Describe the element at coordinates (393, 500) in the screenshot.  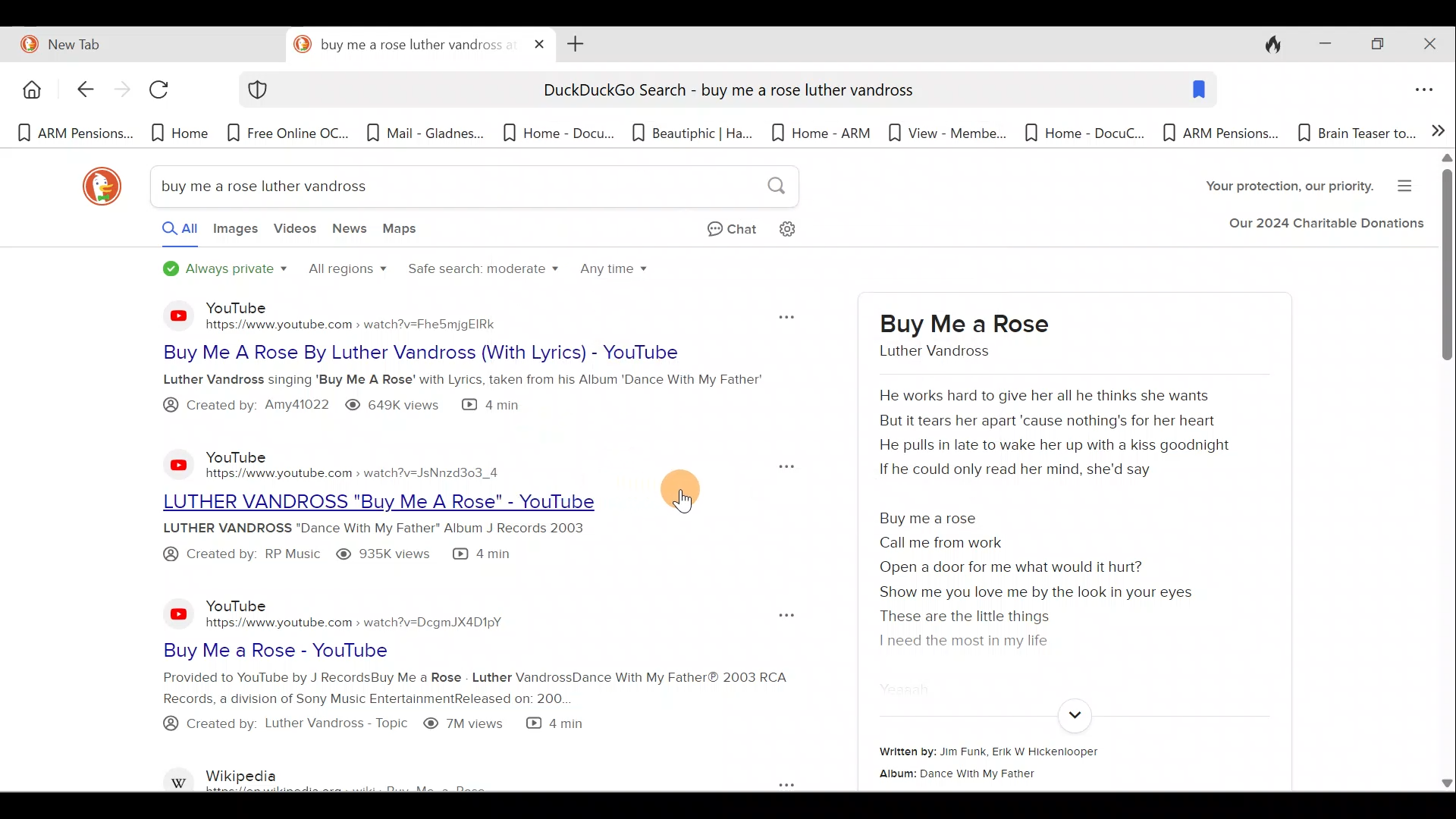
I see `LUTHER VANDROSS "Buy Me A Rose" - YouTube` at that location.